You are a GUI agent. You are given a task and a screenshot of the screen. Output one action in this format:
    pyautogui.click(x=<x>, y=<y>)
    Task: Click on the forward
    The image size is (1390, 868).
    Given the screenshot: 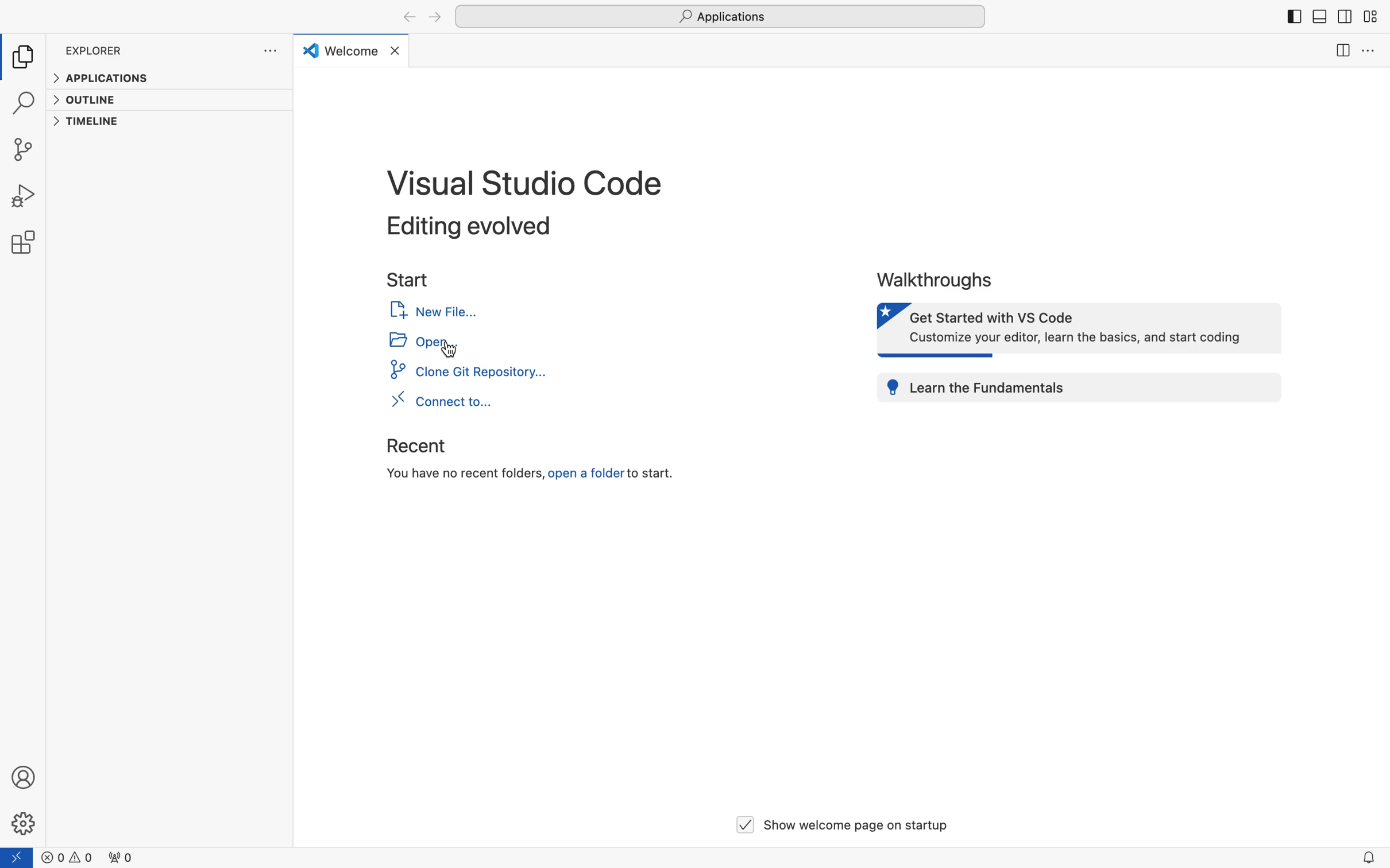 What is the action you would take?
    pyautogui.click(x=434, y=17)
    